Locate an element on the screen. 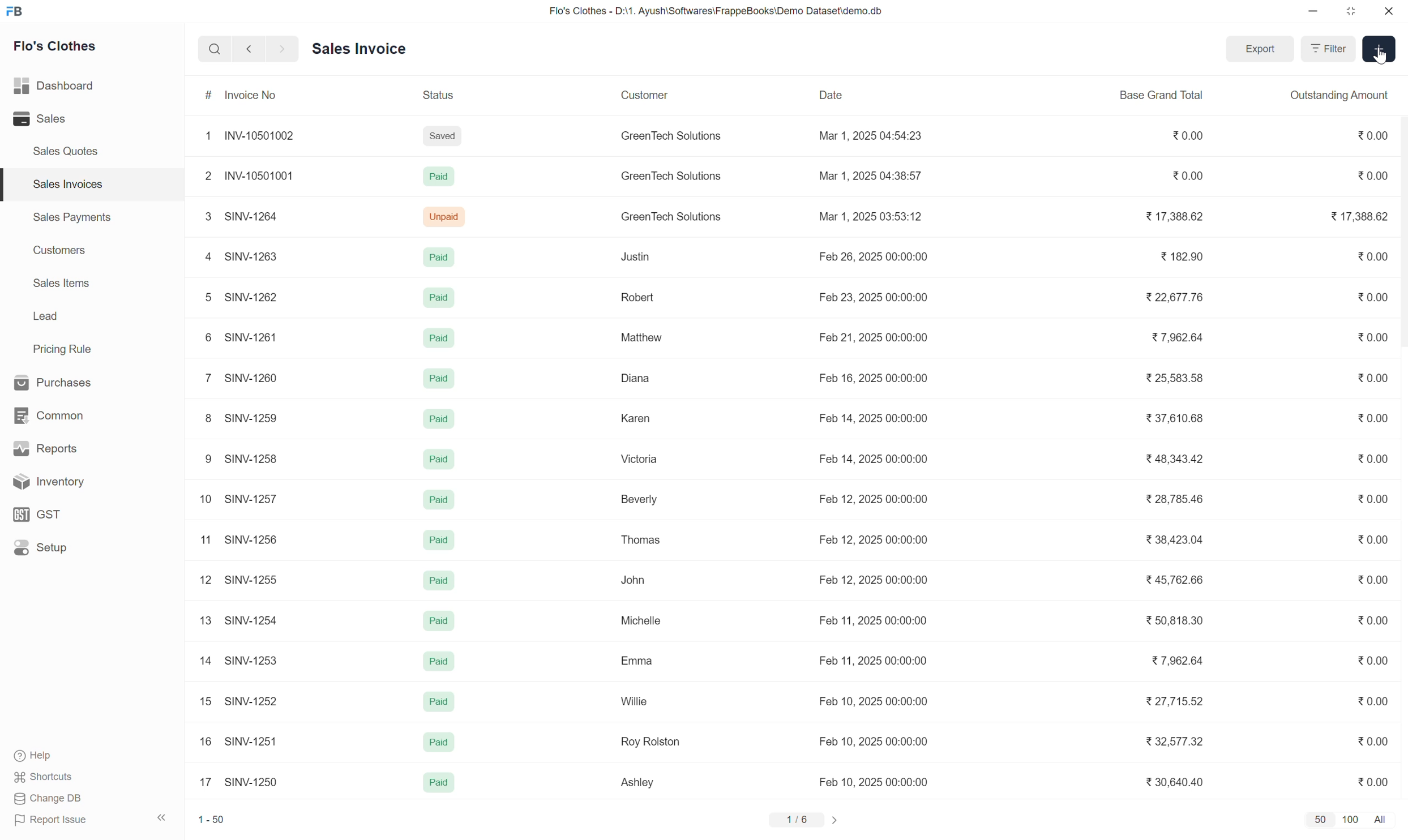  Robert is located at coordinates (641, 300).